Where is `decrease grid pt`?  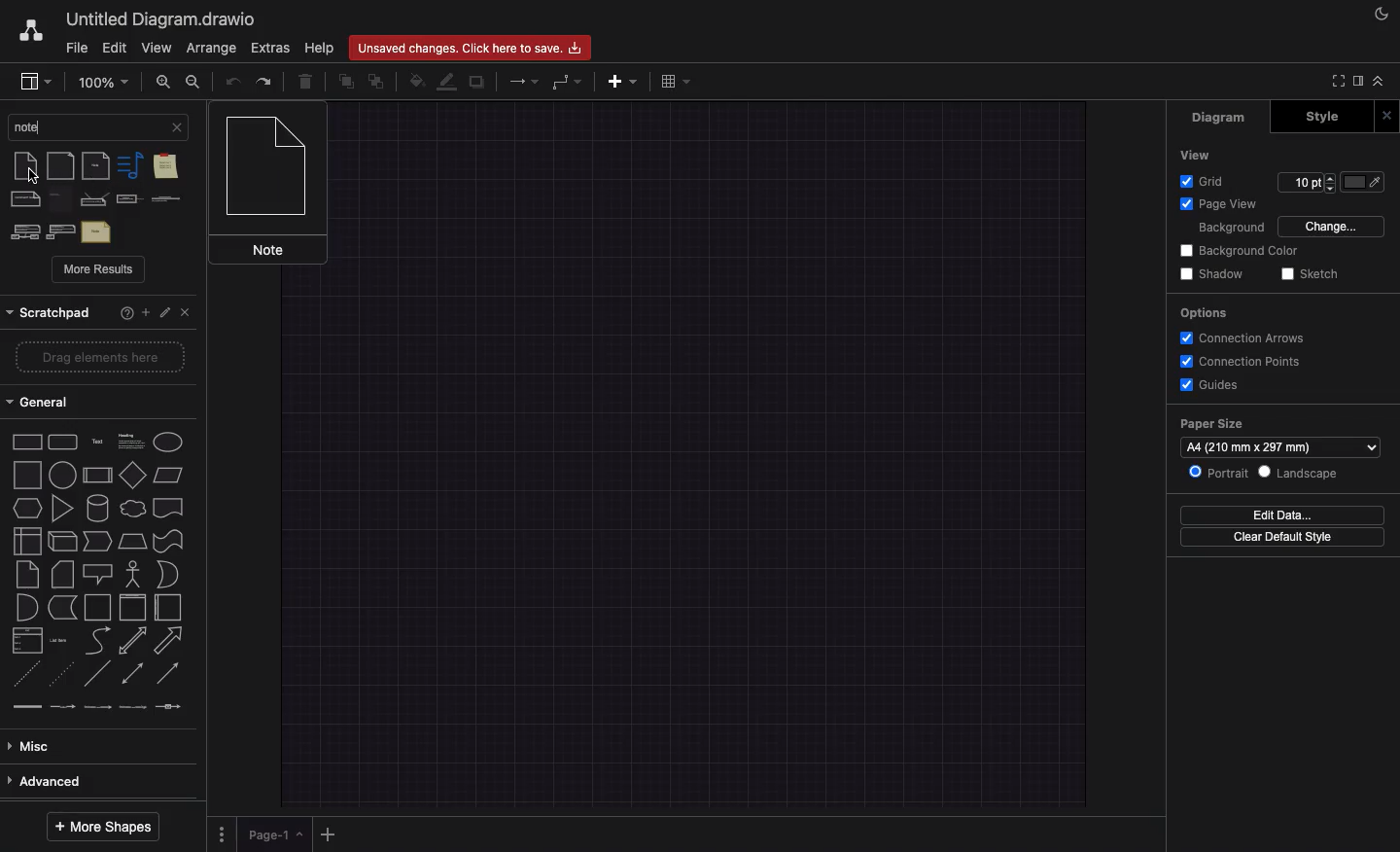 decrease grid pt is located at coordinates (1332, 191).